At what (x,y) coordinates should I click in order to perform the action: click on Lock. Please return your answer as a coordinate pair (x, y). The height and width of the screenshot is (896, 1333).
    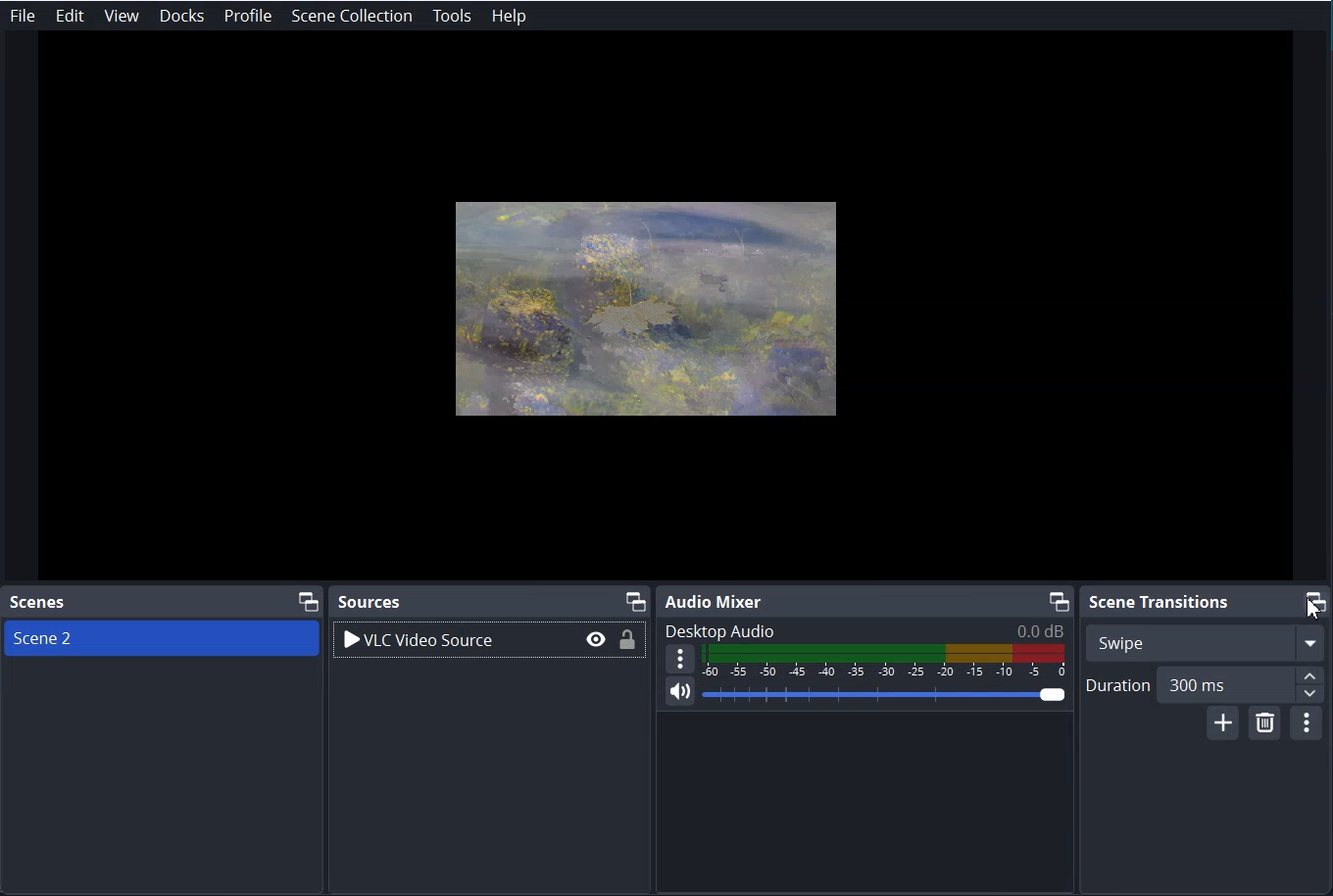
    Looking at the image, I should click on (624, 642).